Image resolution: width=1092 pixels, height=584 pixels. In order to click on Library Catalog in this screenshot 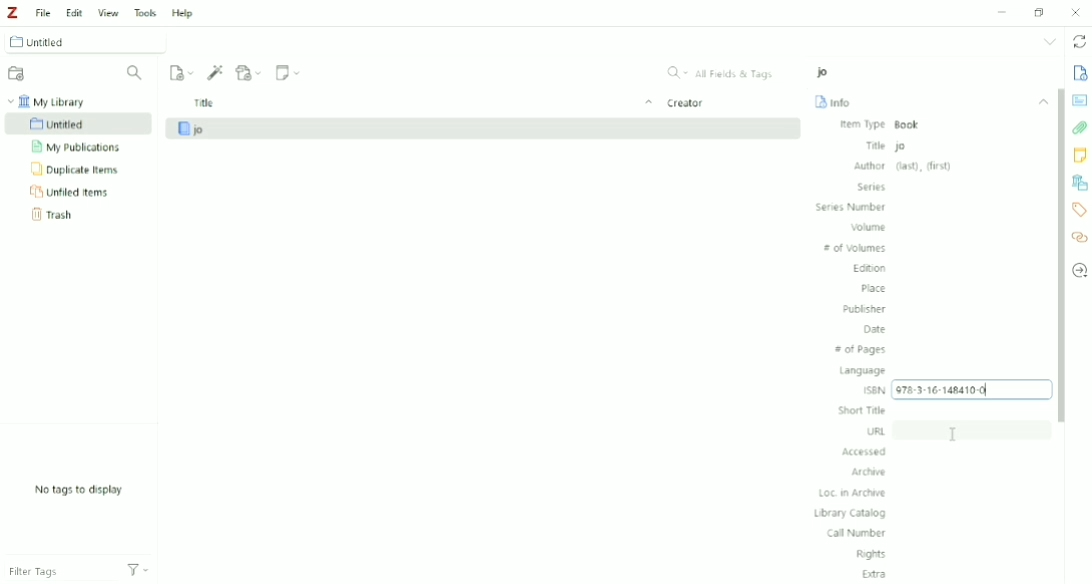, I will do `click(849, 513)`.